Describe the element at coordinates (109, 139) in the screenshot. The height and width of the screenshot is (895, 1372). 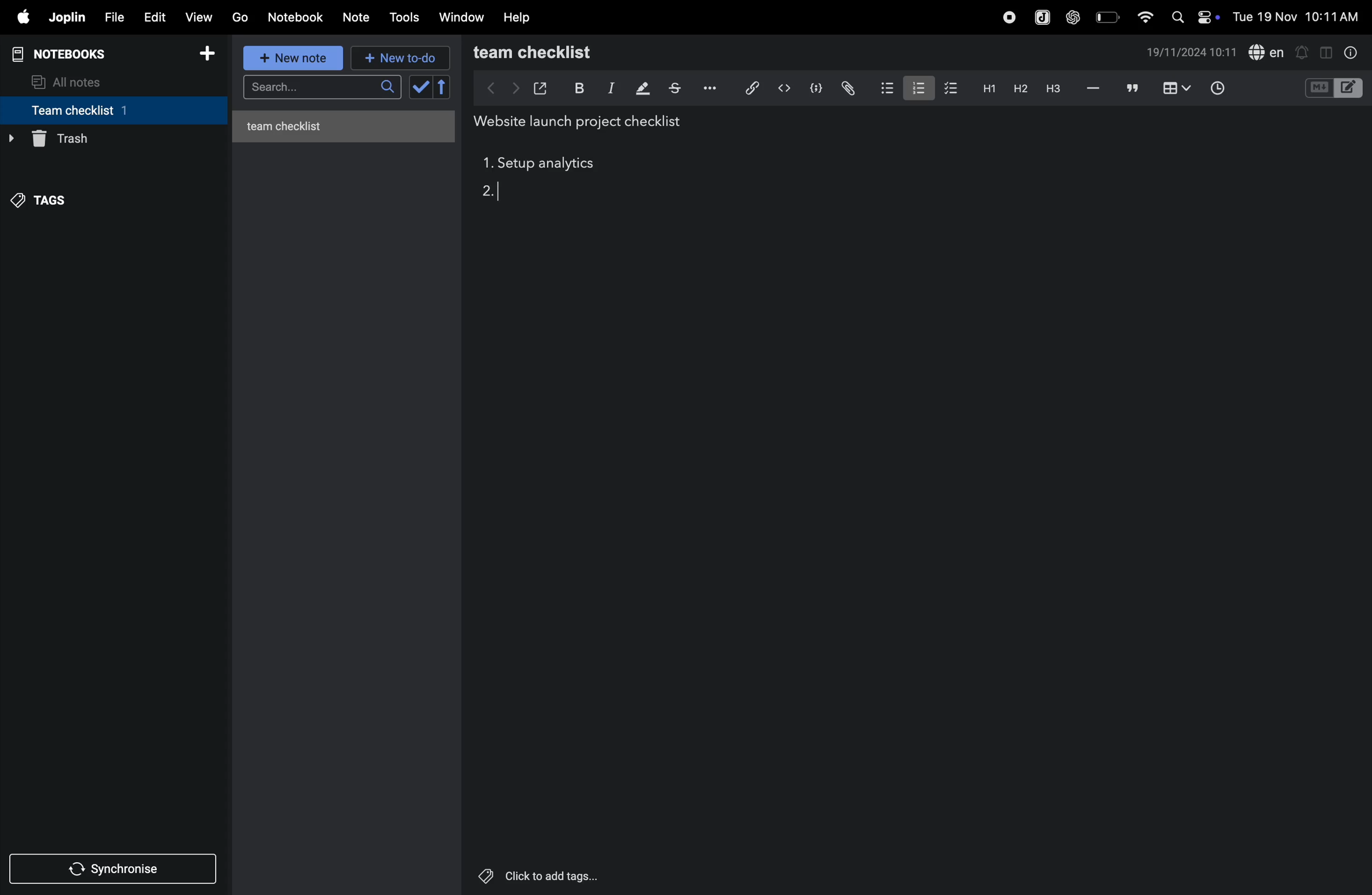
I see `trash` at that location.